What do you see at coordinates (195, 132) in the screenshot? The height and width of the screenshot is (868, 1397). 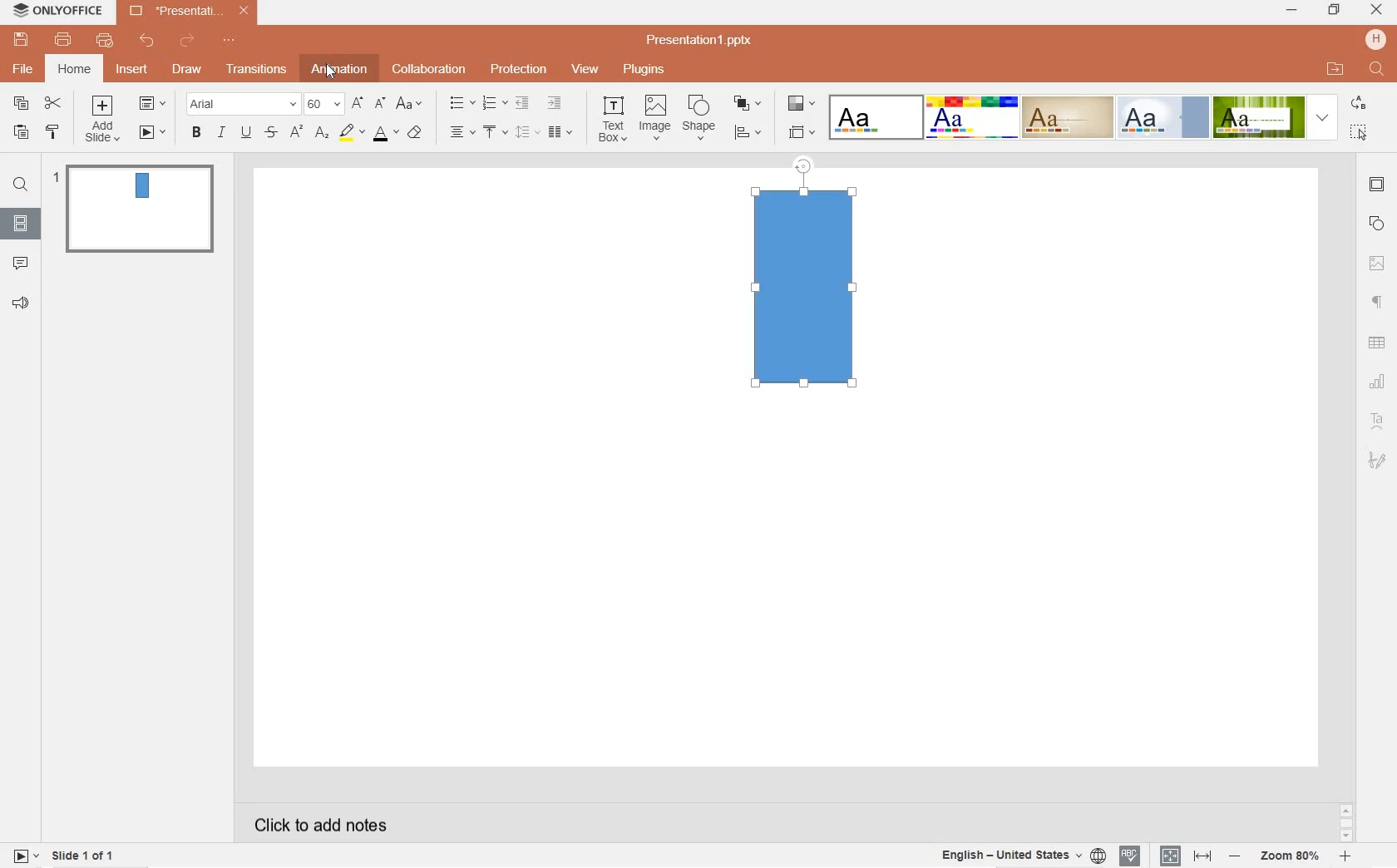 I see `bold` at bounding box center [195, 132].